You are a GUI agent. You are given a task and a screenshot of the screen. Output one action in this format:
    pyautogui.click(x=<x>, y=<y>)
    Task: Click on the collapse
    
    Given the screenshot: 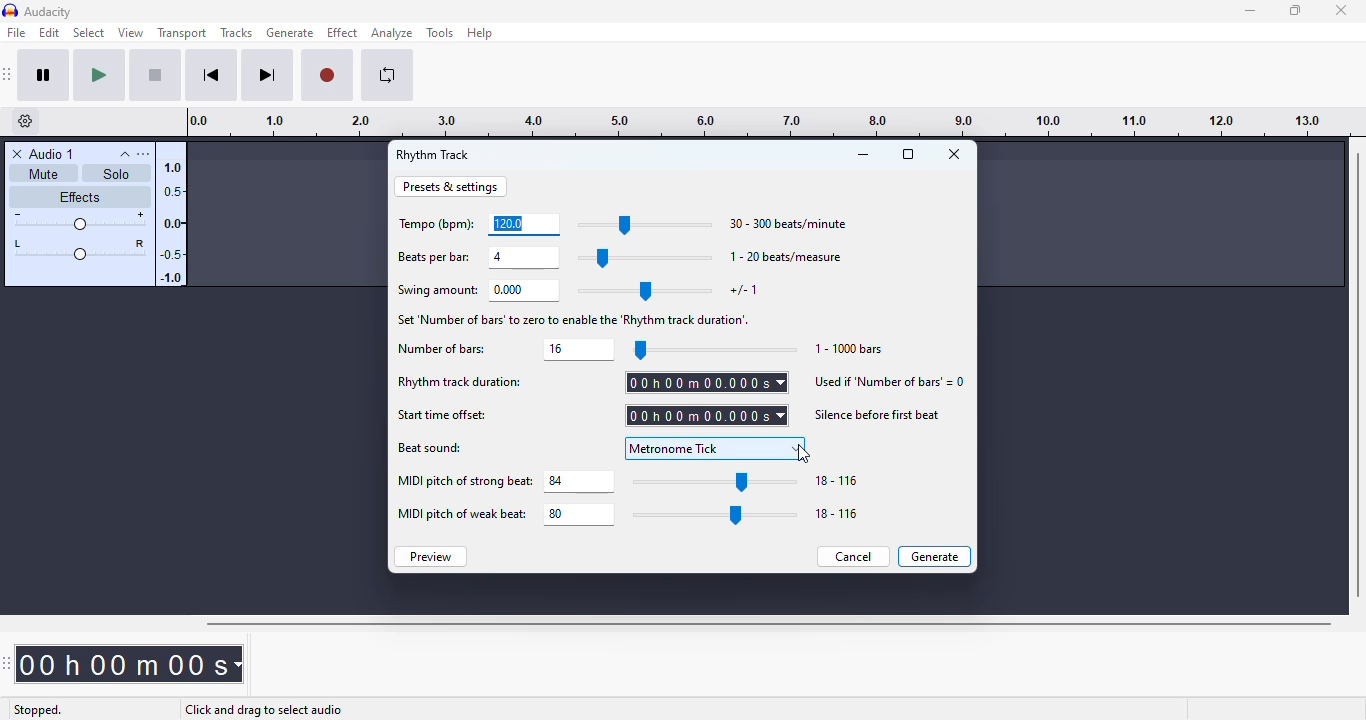 What is the action you would take?
    pyautogui.click(x=125, y=154)
    